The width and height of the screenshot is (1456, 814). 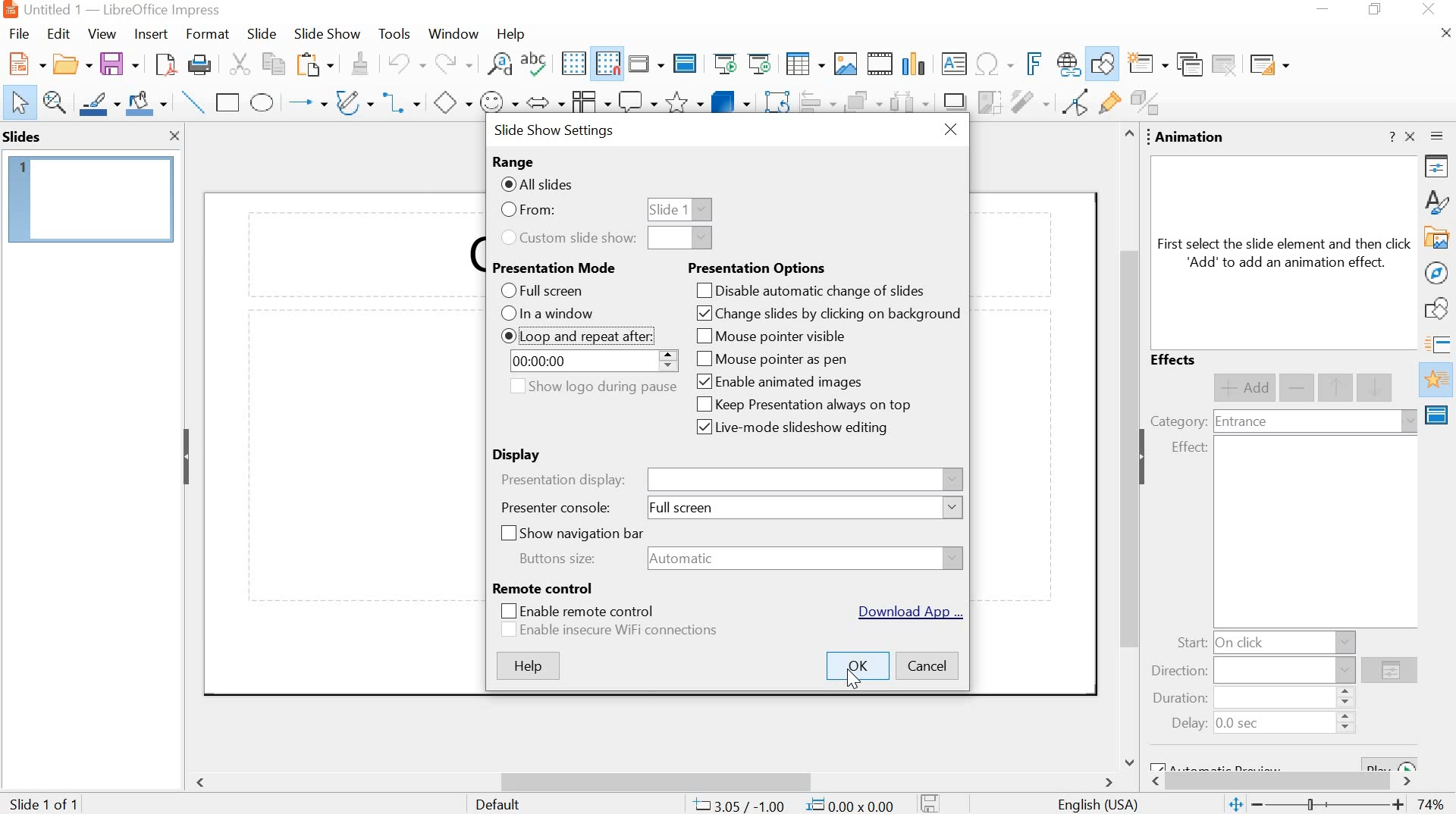 What do you see at coordinates (954, 508) in the screenshot?
I see `dropdown` at bounding box center [954, 508].